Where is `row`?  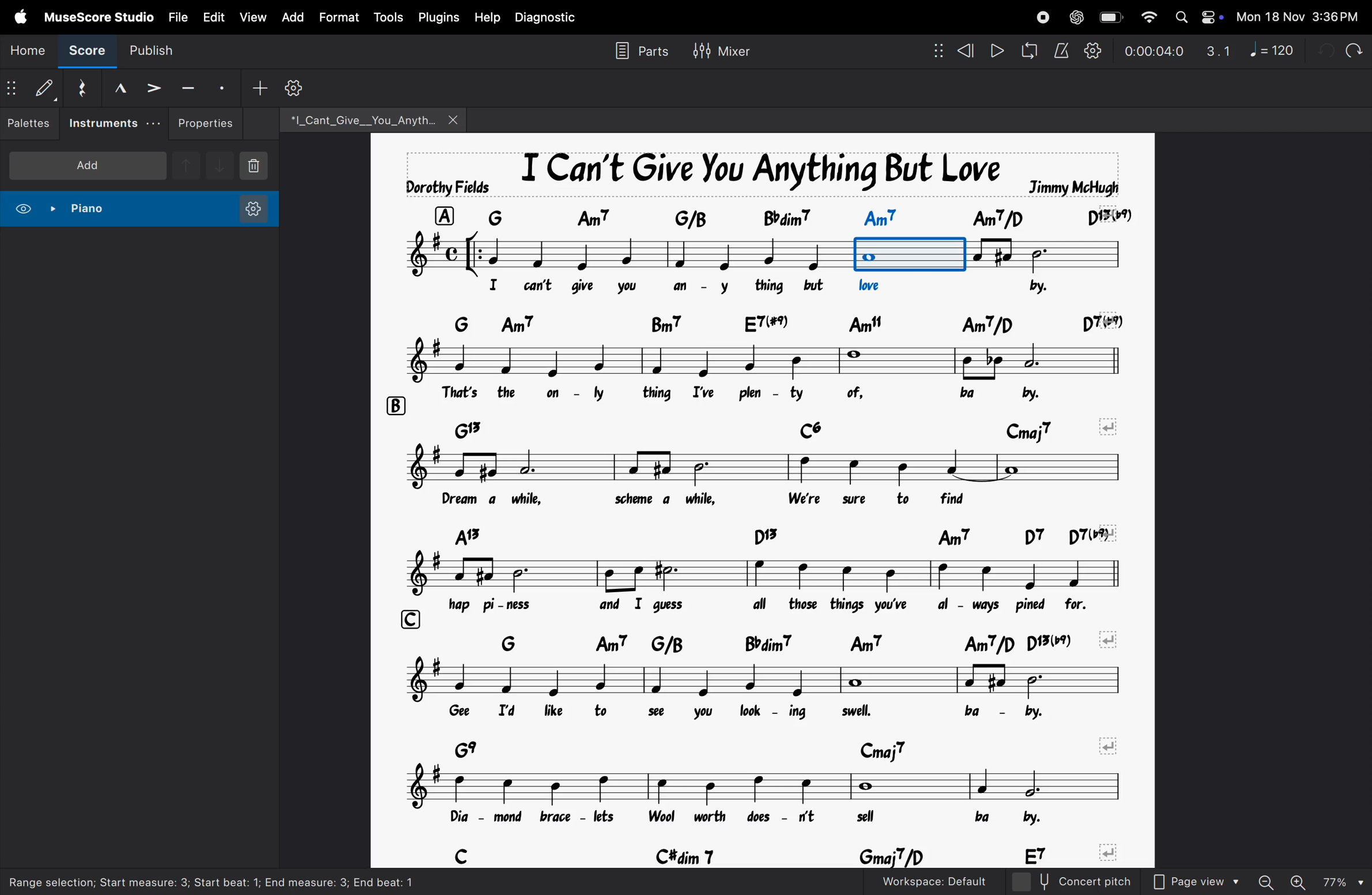 row is located at coordinates (395, 405).